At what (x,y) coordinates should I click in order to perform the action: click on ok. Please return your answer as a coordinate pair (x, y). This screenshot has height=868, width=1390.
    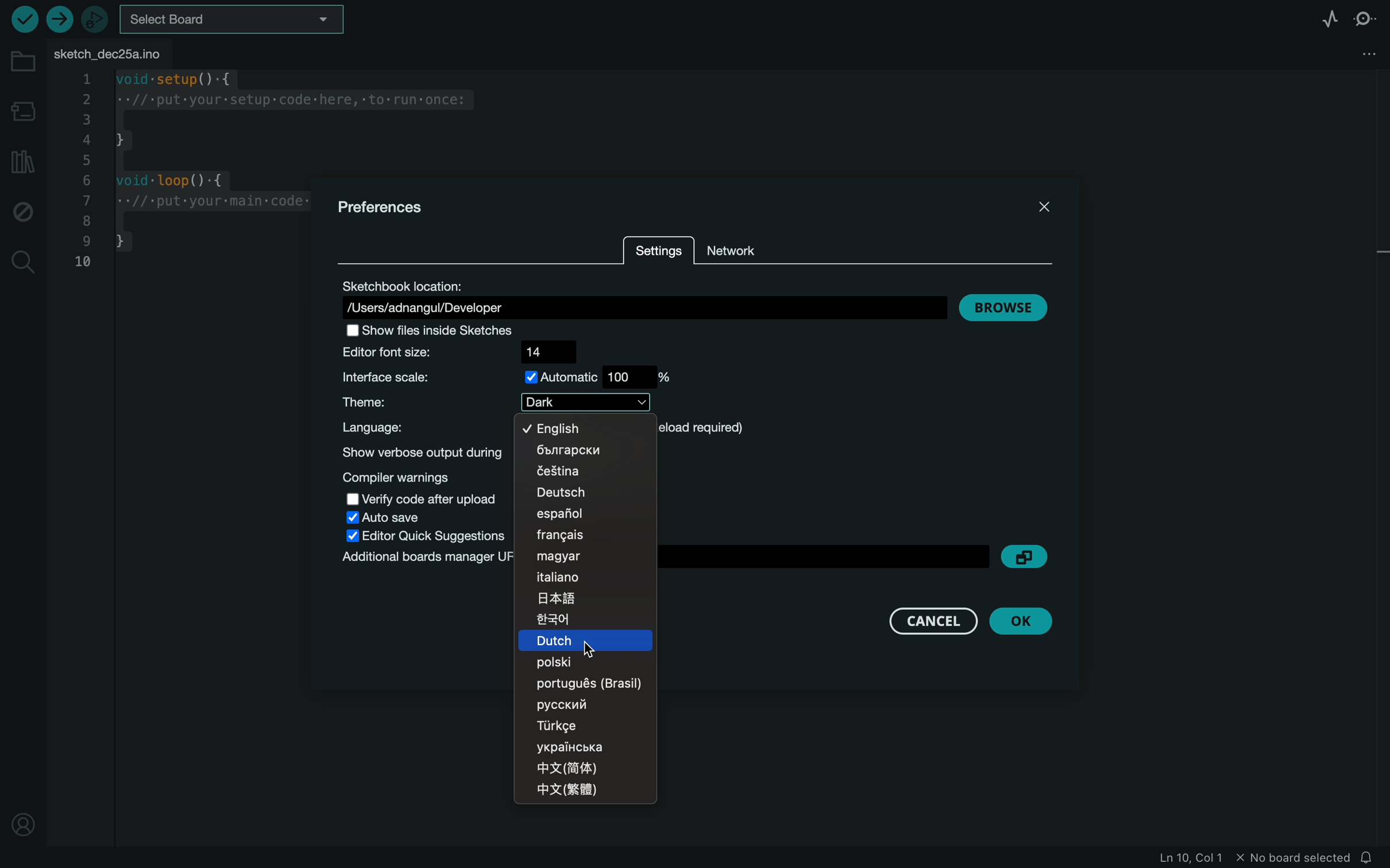
    Looking at the image, I should click on (1024, 620).